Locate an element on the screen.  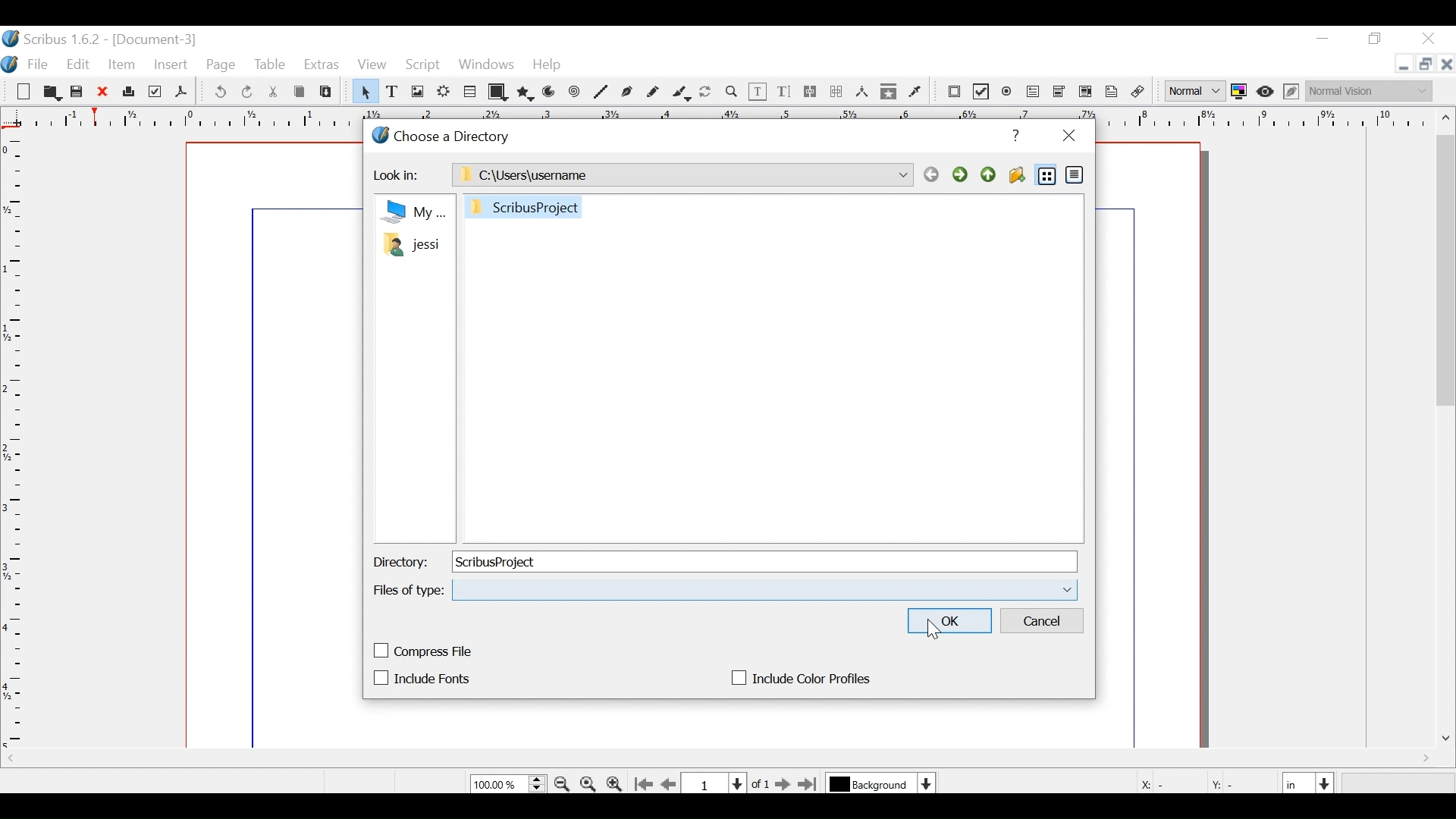
Restore is located at coordinates (1423, 64).